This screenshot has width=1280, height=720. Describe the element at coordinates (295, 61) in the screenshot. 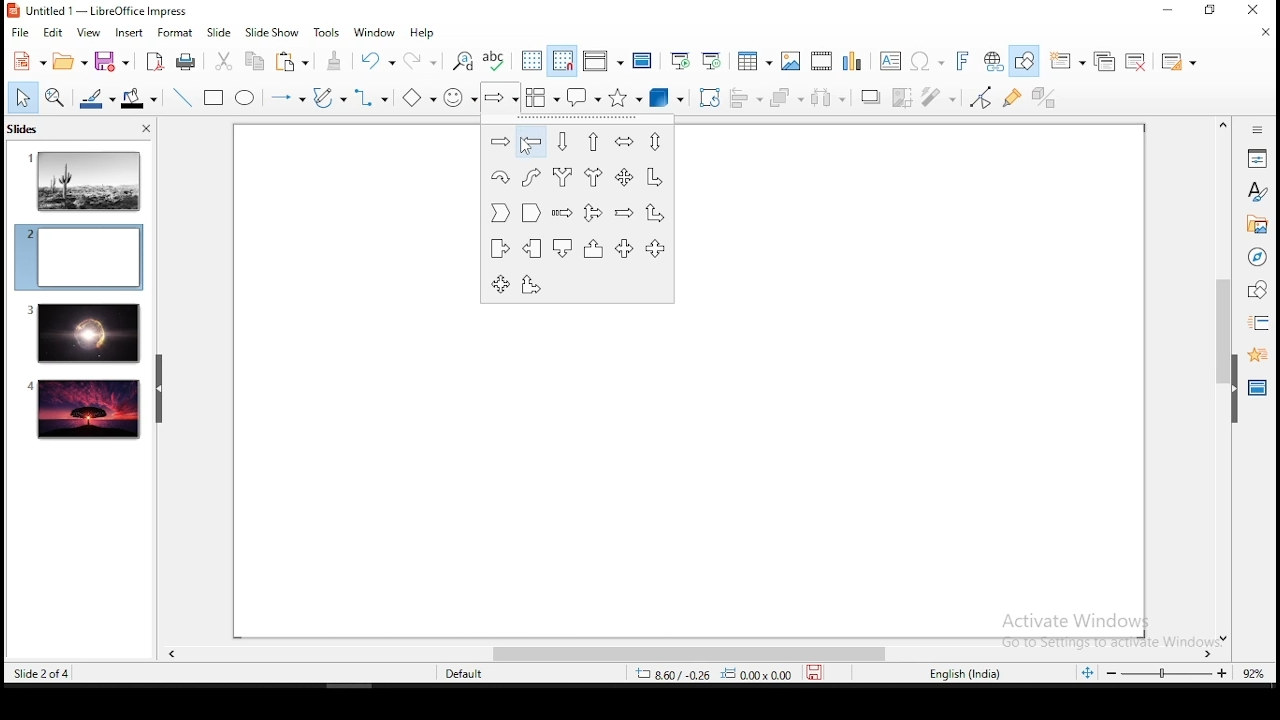

I see `paste` at that location.